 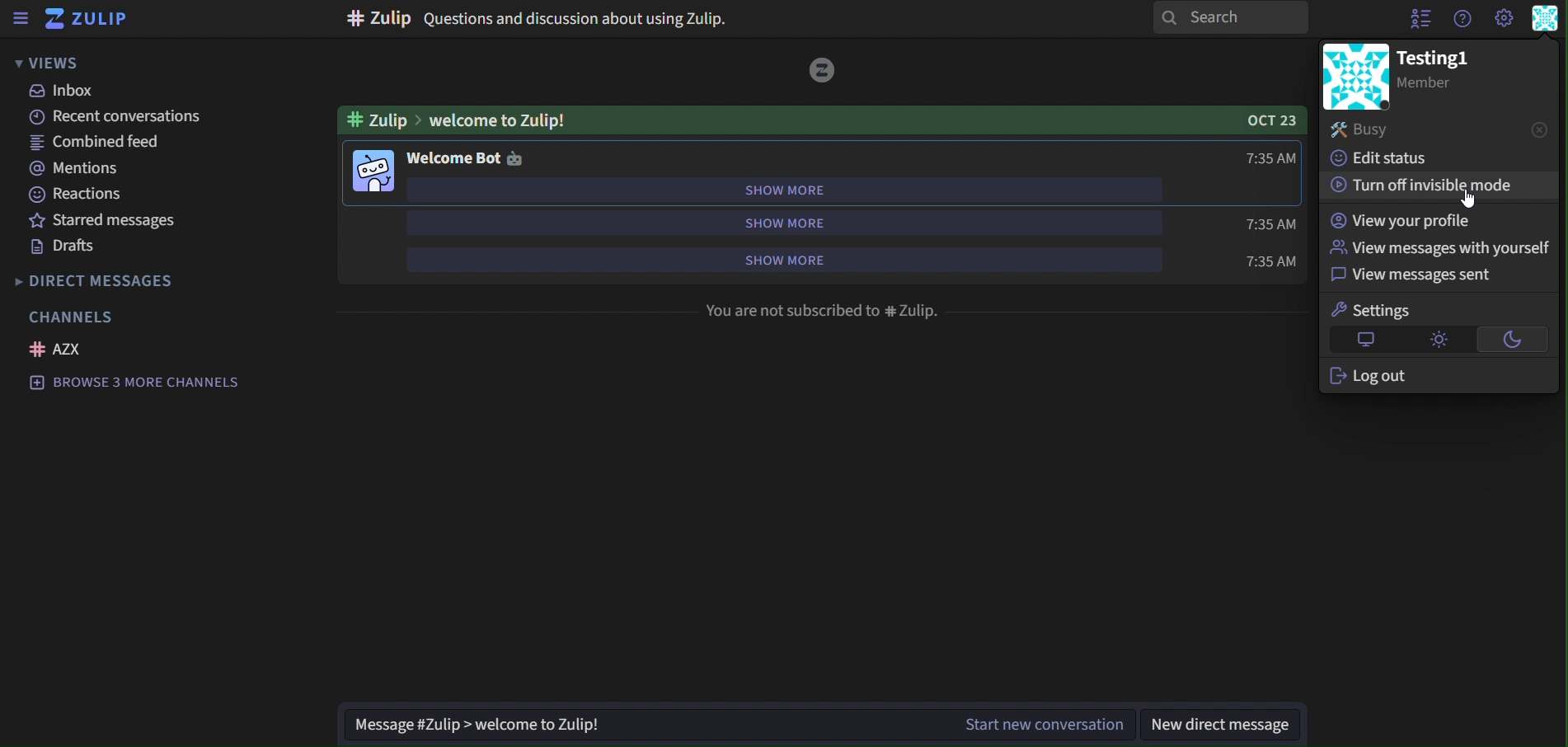 What do you see at coordinates (1223, 725) in the screenshot?
I see `new direct message` at bounding box center [1223, 725].